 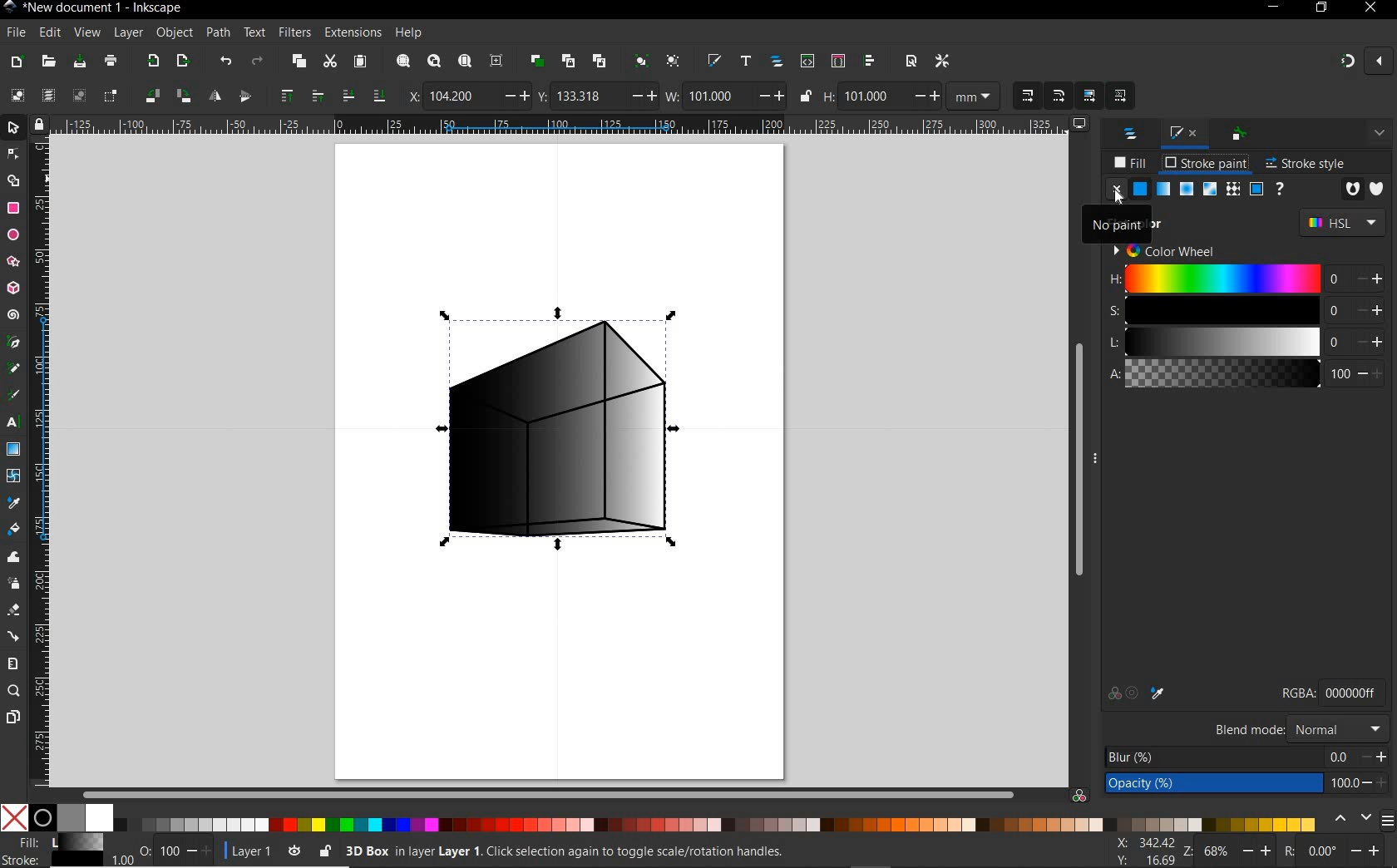 I want to click on FILTERS, so click(x=294, y=33).